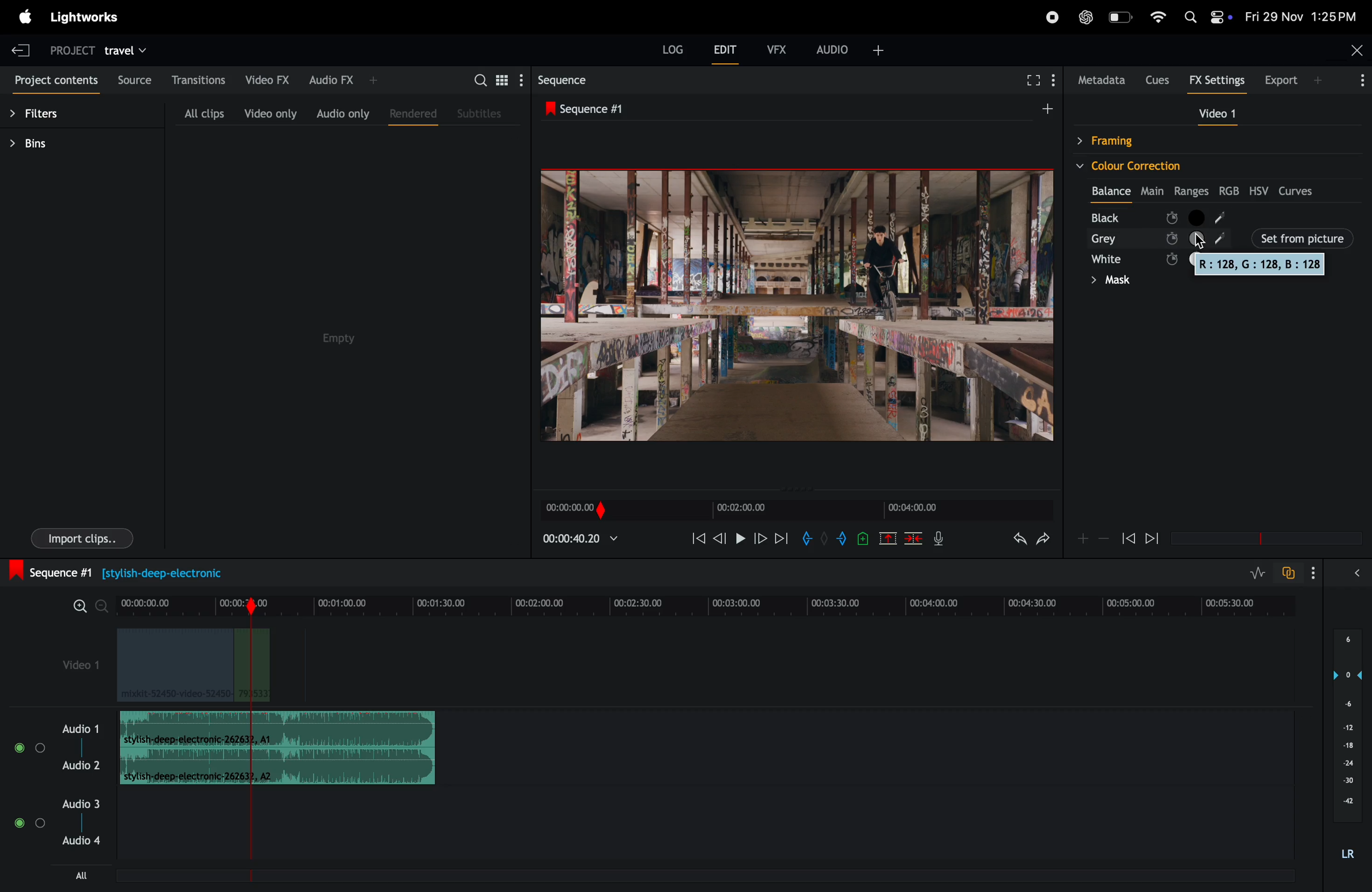 Image resolution: width=1372 pixels, height=892 pixels. What do you see at coordinates (1287, 573) in the screenshot?
I see `tofggle audio track` at bounding box center [1287, 573].